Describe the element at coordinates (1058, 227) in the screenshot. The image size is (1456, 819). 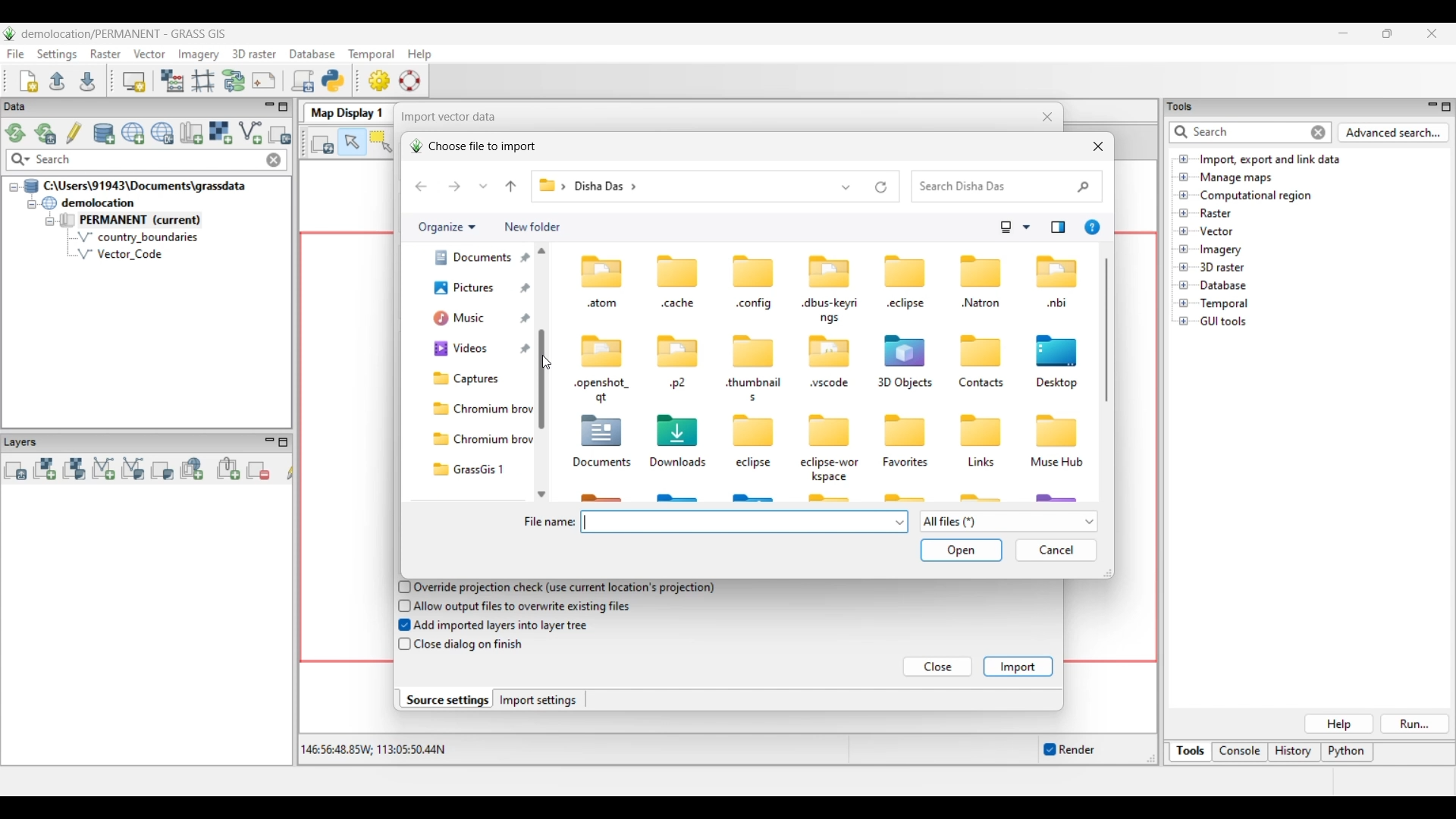
I see `Show the preview pane` at that location.